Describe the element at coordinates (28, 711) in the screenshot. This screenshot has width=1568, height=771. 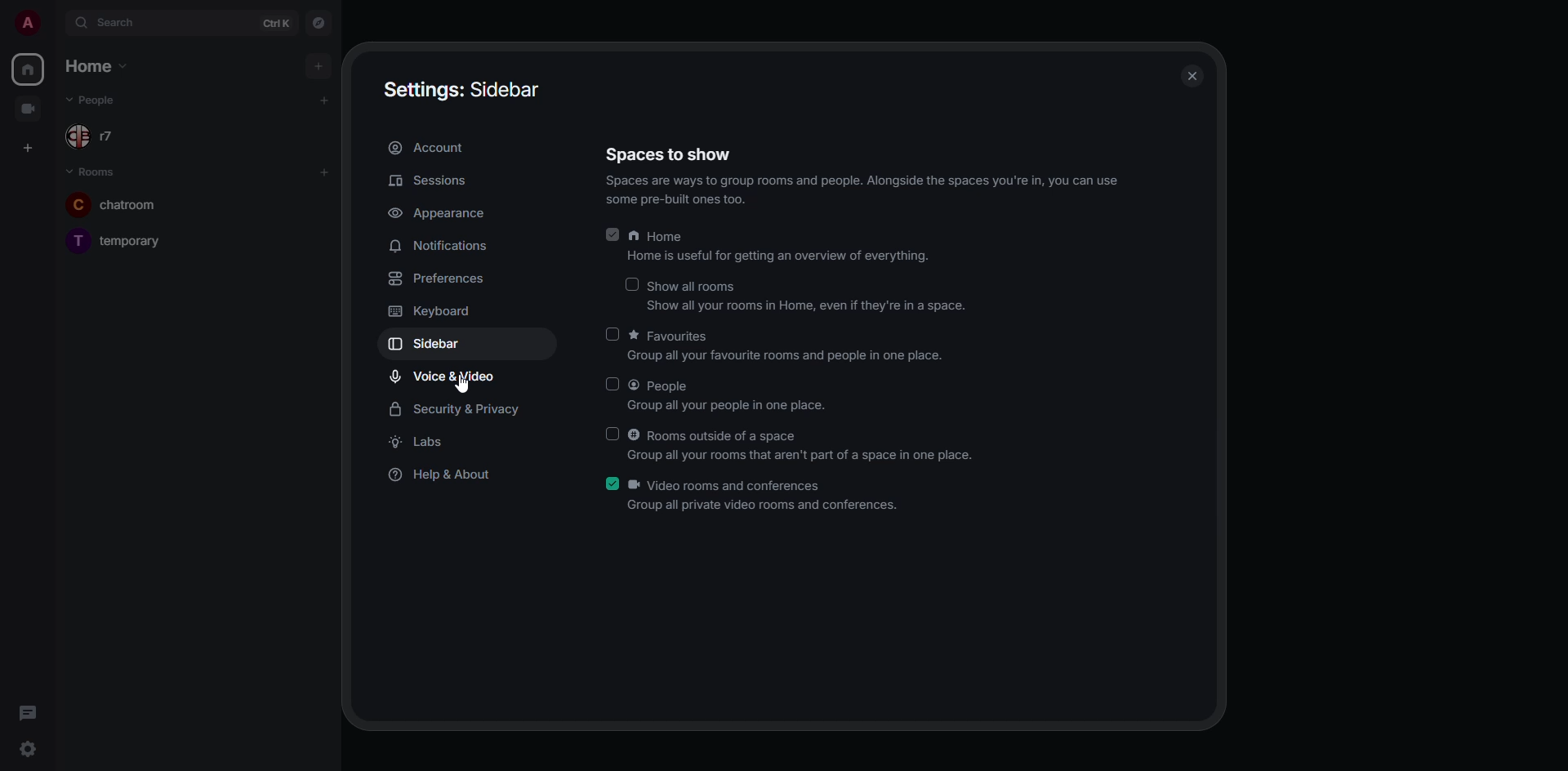
I see `threads` at that location.